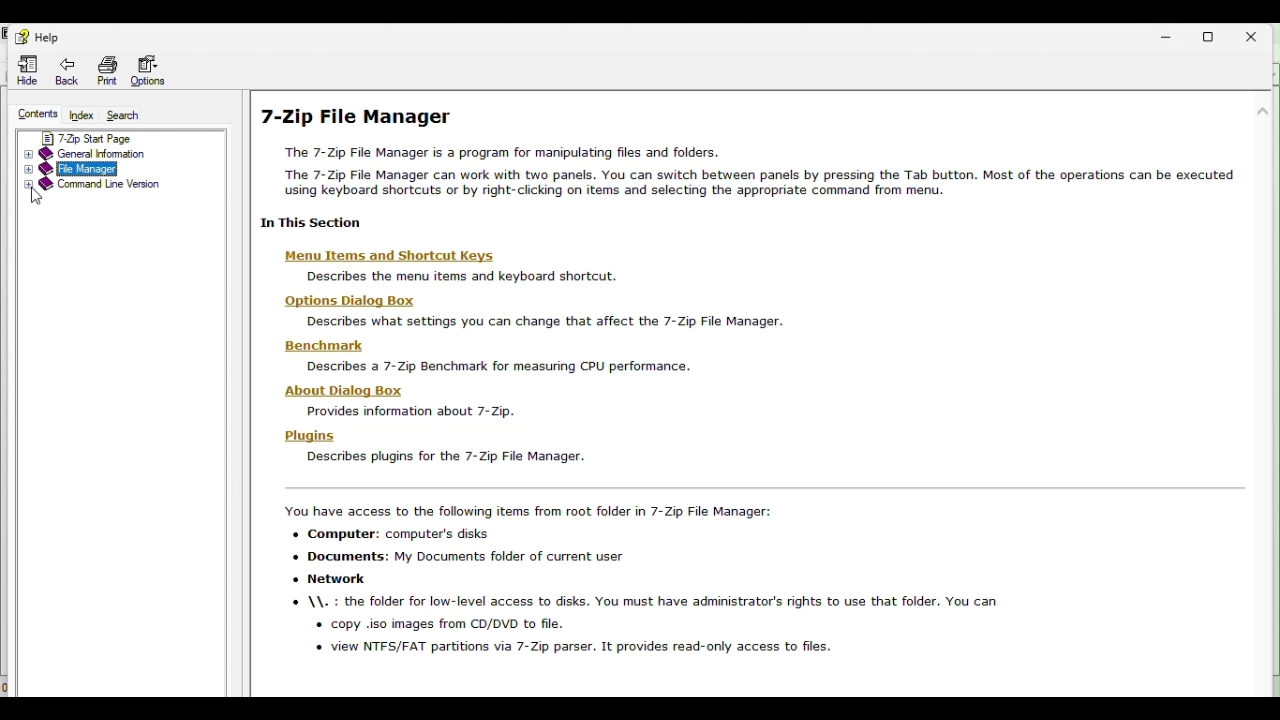 Image resolution: width=1280 pixels, height=720 pixels. I want to click on Close, so click(1262, 36).